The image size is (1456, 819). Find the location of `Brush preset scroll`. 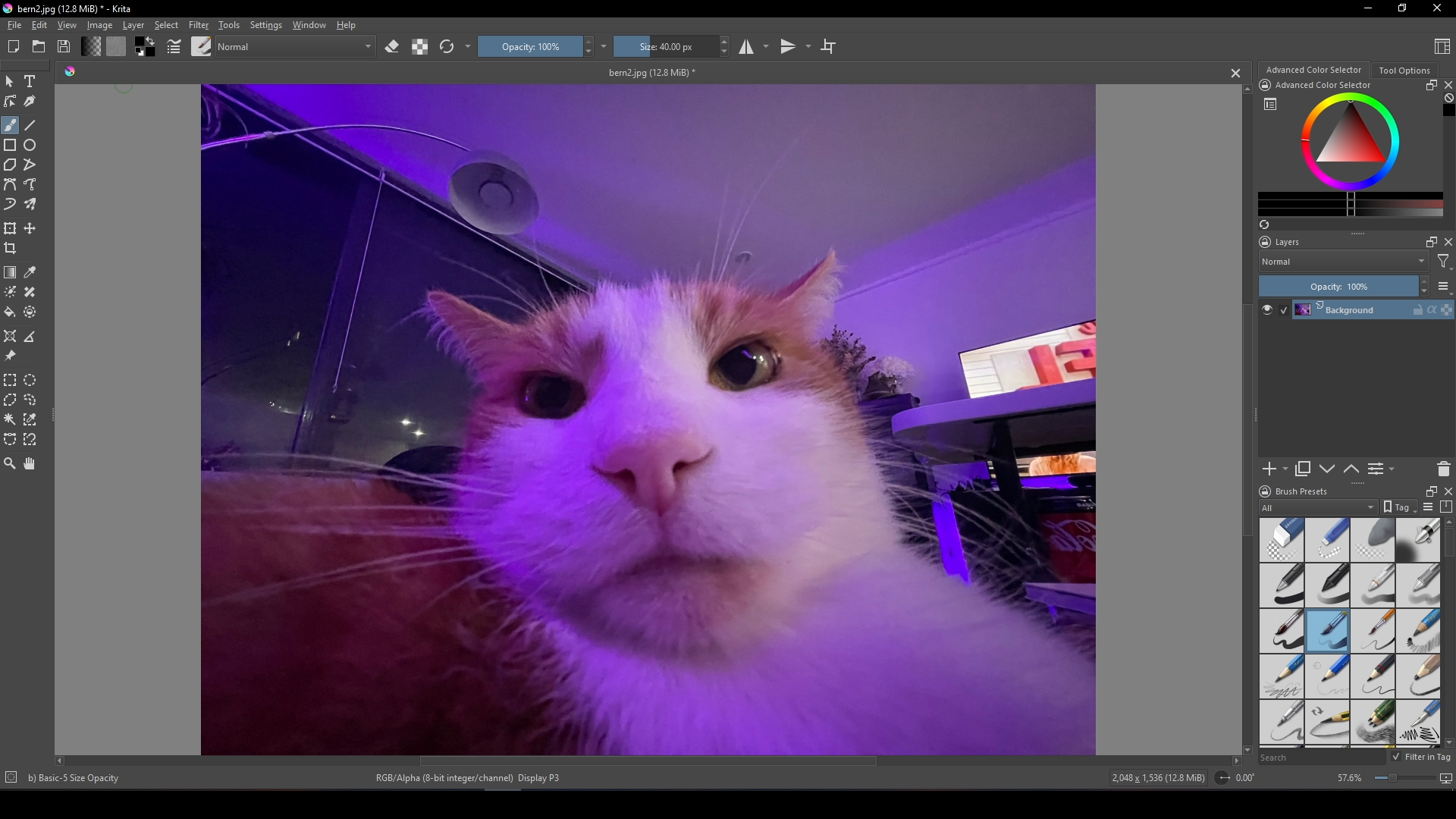

Brush preset scroll is located at coordinates (1449, 633).